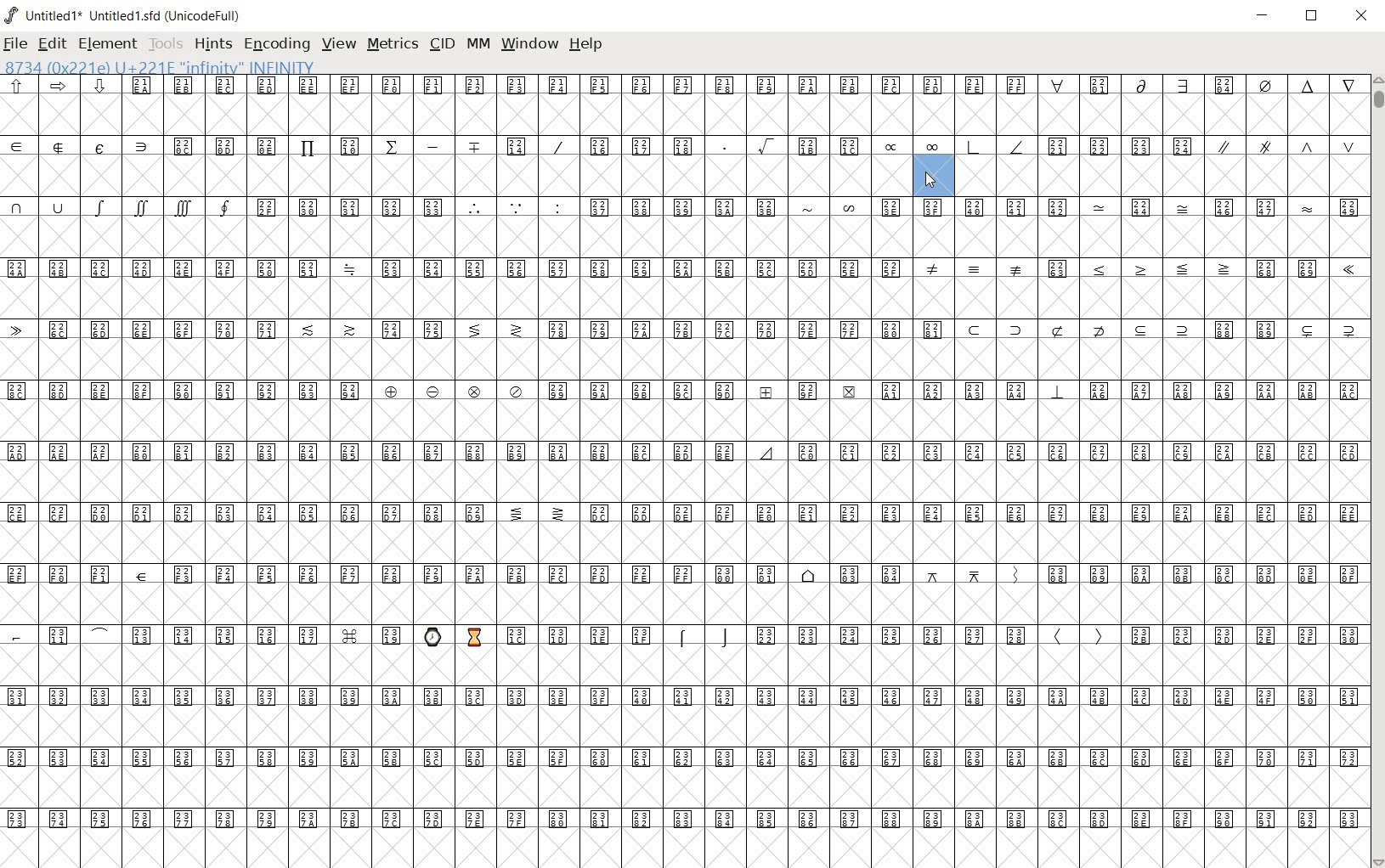 This screenshot has height=868, width=1385. What do you see at coordinates (687, 664) in the screenshot?
I see `empty glyph slots` at bounding box center [687, 664].